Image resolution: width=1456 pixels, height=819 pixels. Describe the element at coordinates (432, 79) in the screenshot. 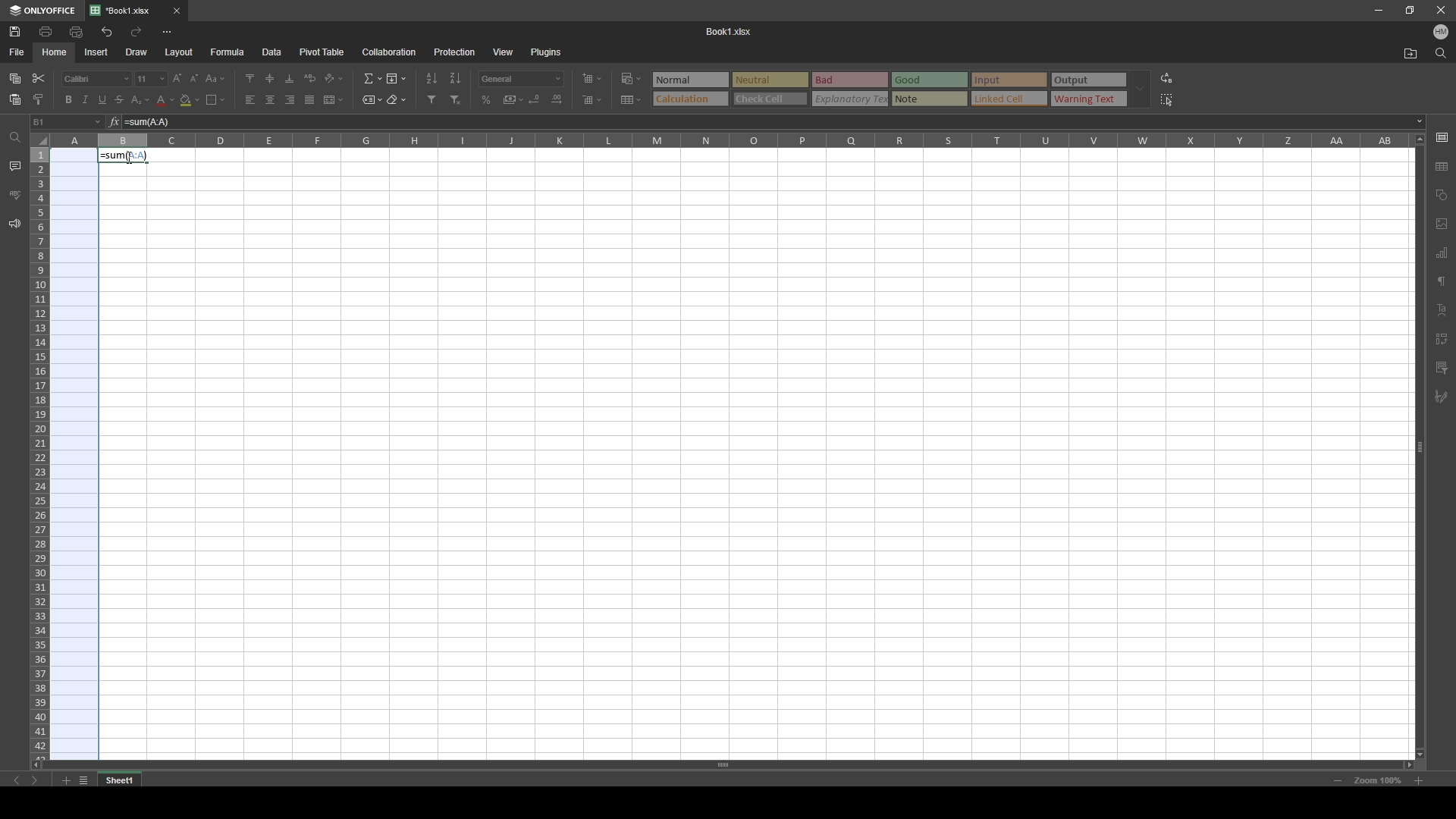

I see `sort ascending` at that location.